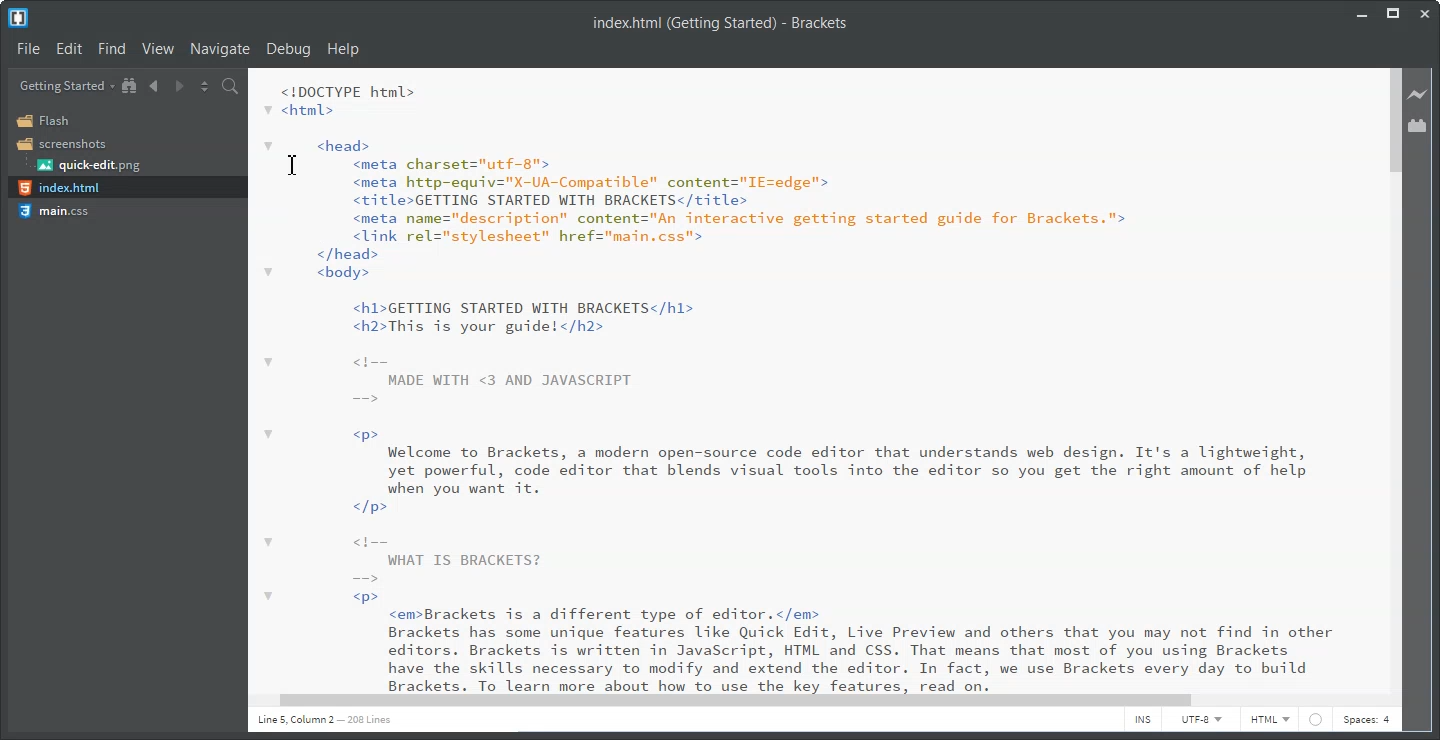  I want to click on Spaces: 4, so click(1368, 720).